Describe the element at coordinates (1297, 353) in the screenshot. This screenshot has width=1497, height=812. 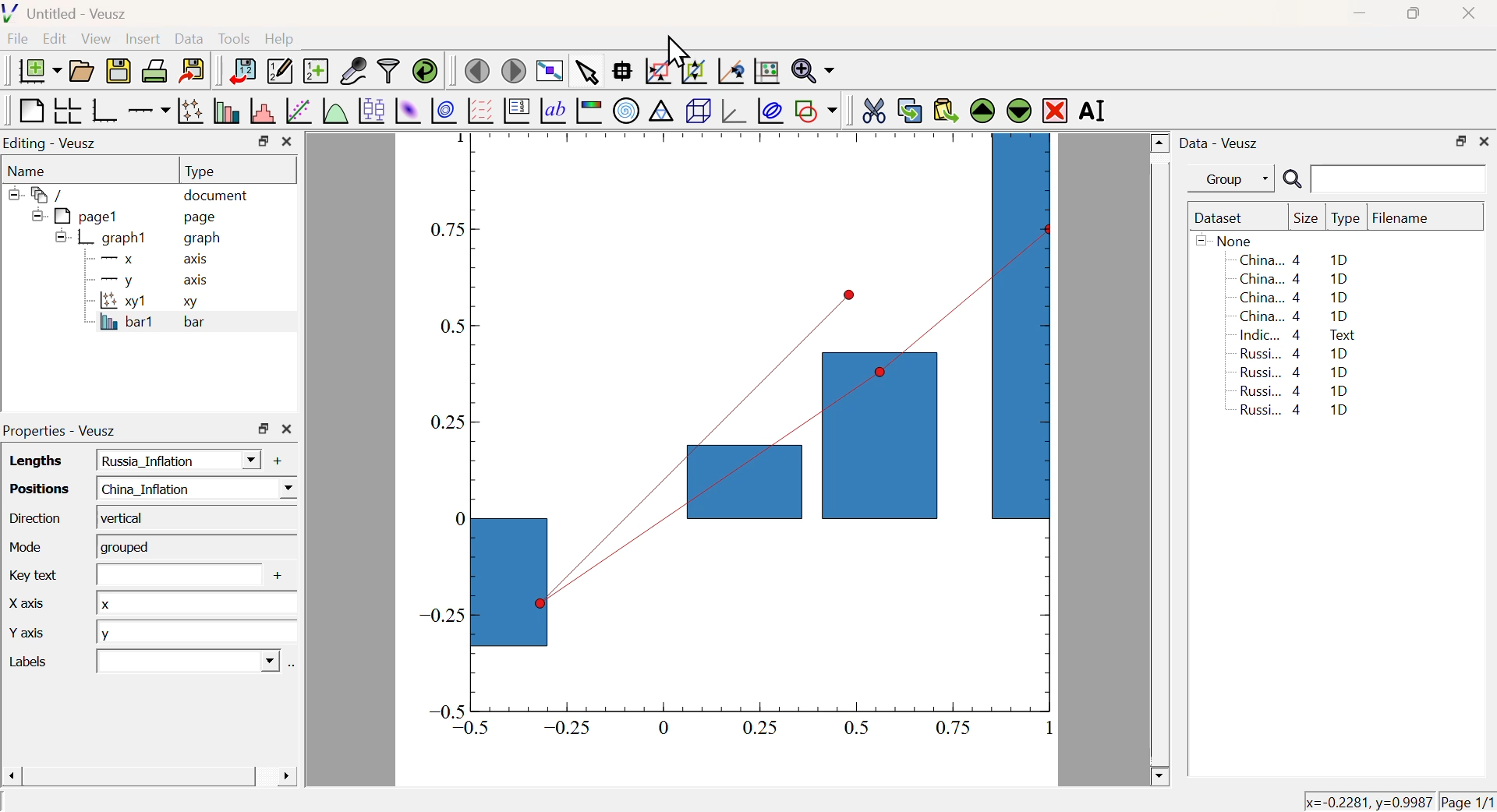
I see `Russi... 4 1D` at that location.